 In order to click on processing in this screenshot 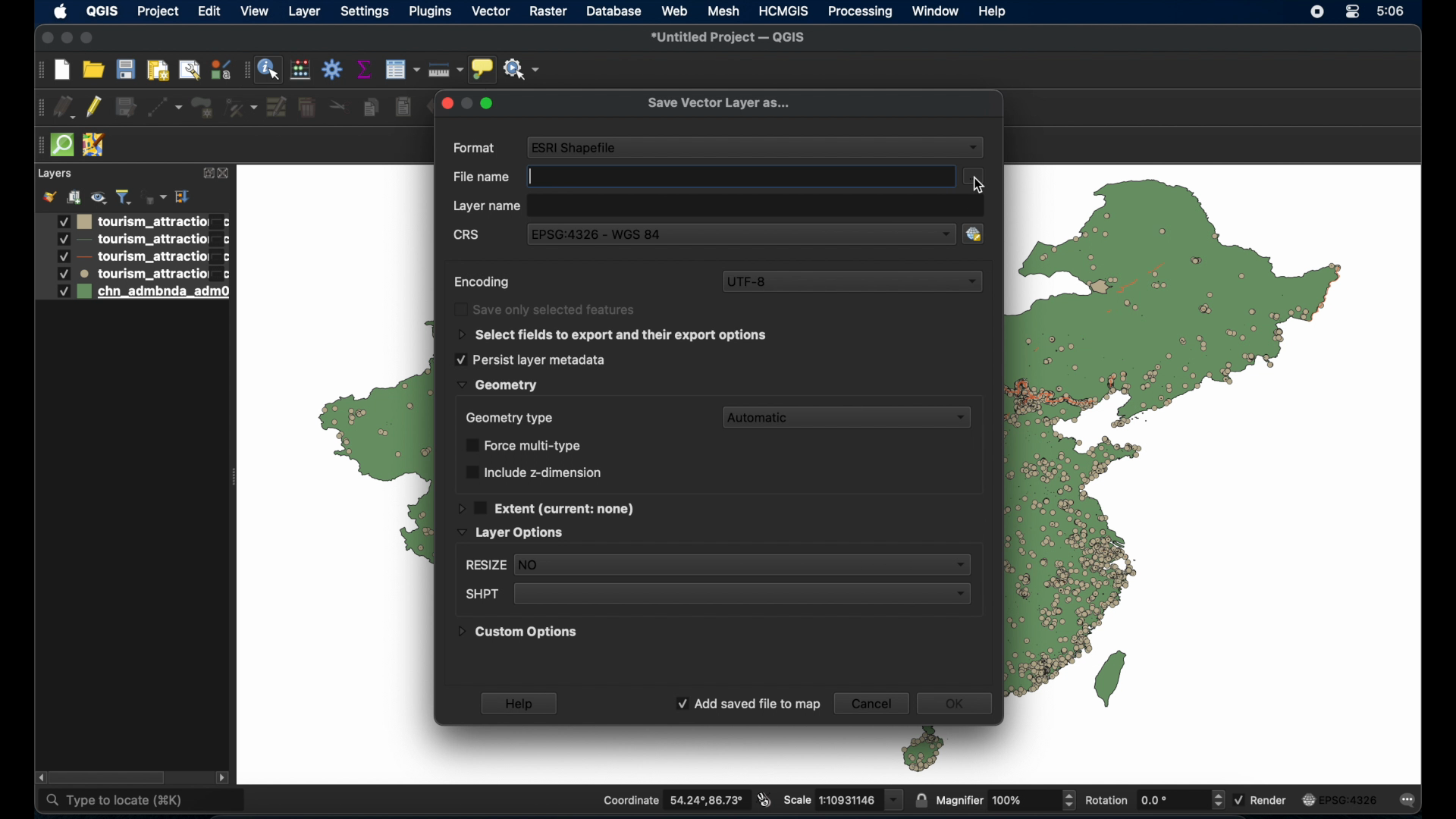, I will do `click(859, 12)`.